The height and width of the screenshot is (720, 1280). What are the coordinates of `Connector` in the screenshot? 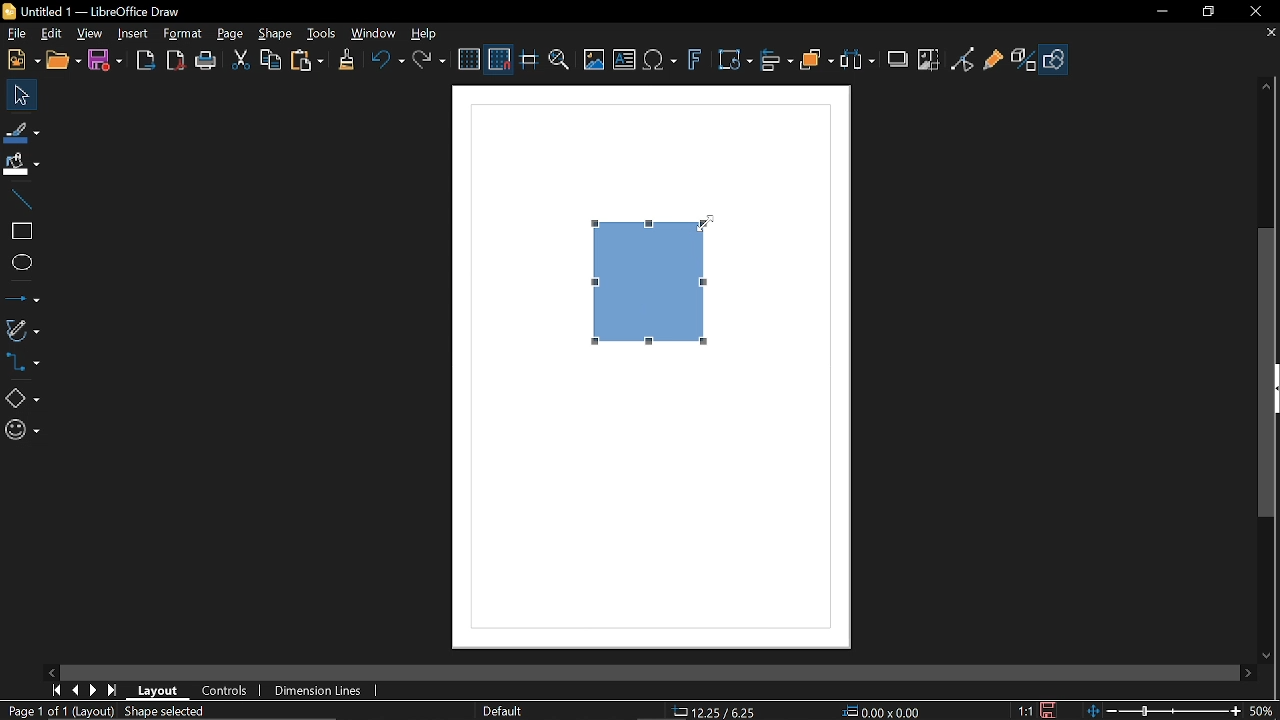 It's located at (26, 365).